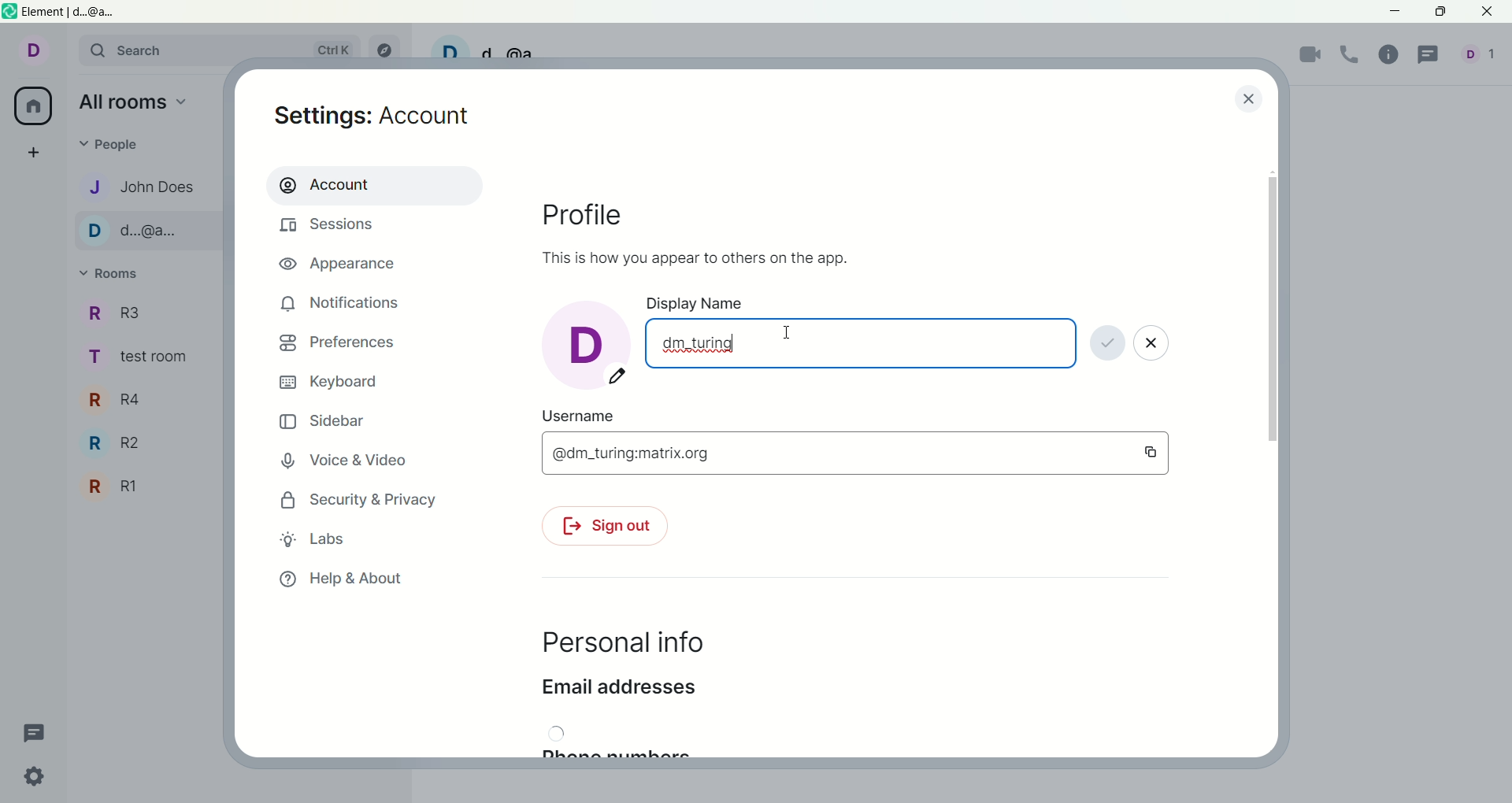 The height and width of the screenshot is (803, 1512). What do you see at coordinates (42, 54) in the screenshot?
I see `account` at bounding box center [42, 54].